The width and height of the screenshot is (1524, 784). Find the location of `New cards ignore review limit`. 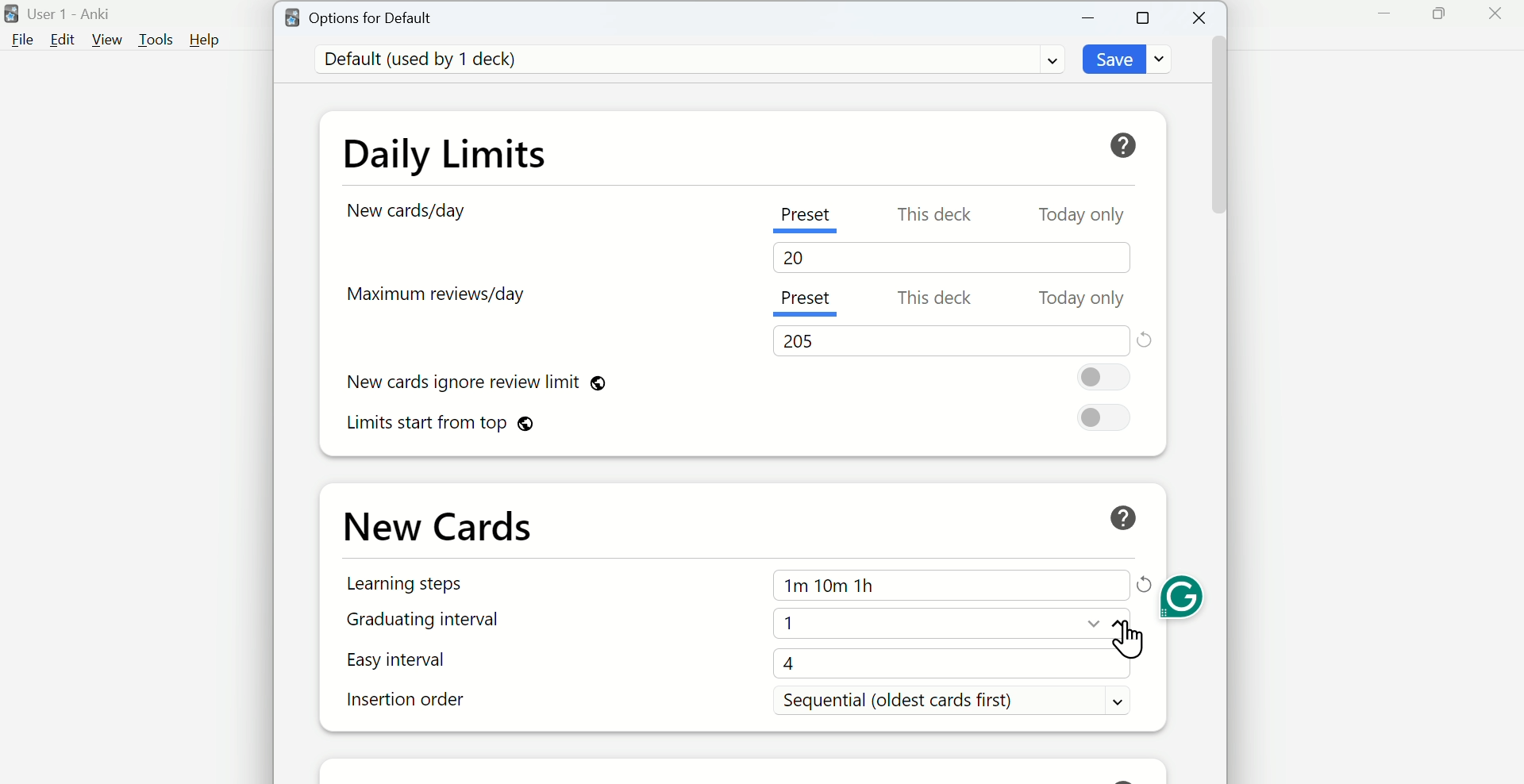

New cards ignore review limit is located at coordinates (496, 379).